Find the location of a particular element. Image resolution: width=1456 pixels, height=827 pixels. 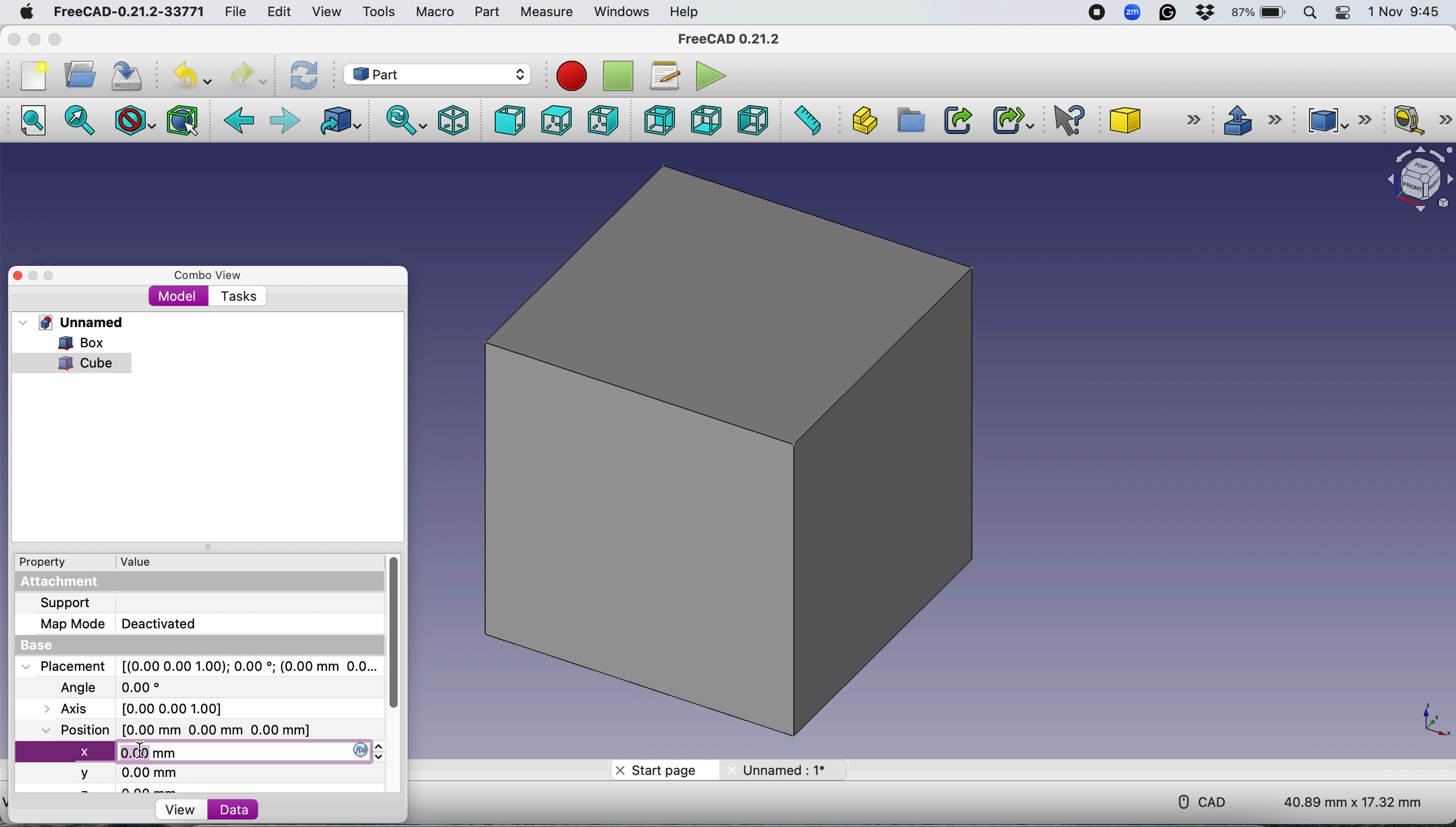

Box is located at coordinates (744, 455).